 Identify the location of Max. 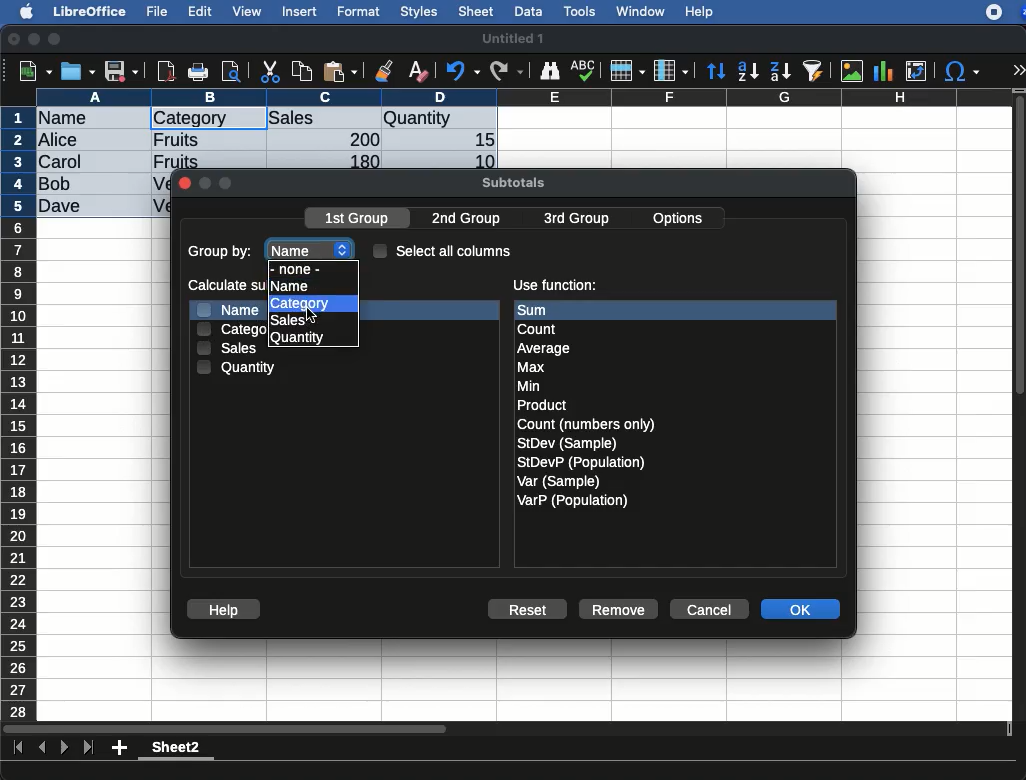
(532, 368).